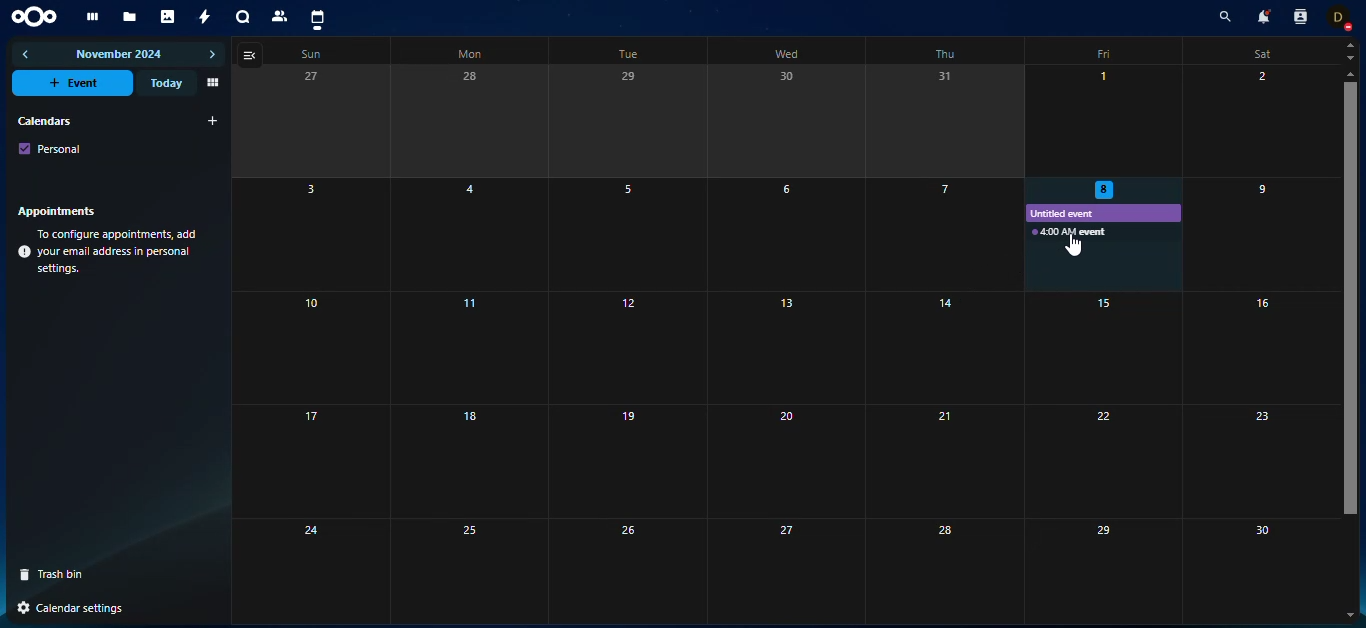 The height and width of the screenshot is (628, 1366). What do you see at coordinates (1259, 54) in the screenshot?
I see `sat` at bounding box center [1259, 54].